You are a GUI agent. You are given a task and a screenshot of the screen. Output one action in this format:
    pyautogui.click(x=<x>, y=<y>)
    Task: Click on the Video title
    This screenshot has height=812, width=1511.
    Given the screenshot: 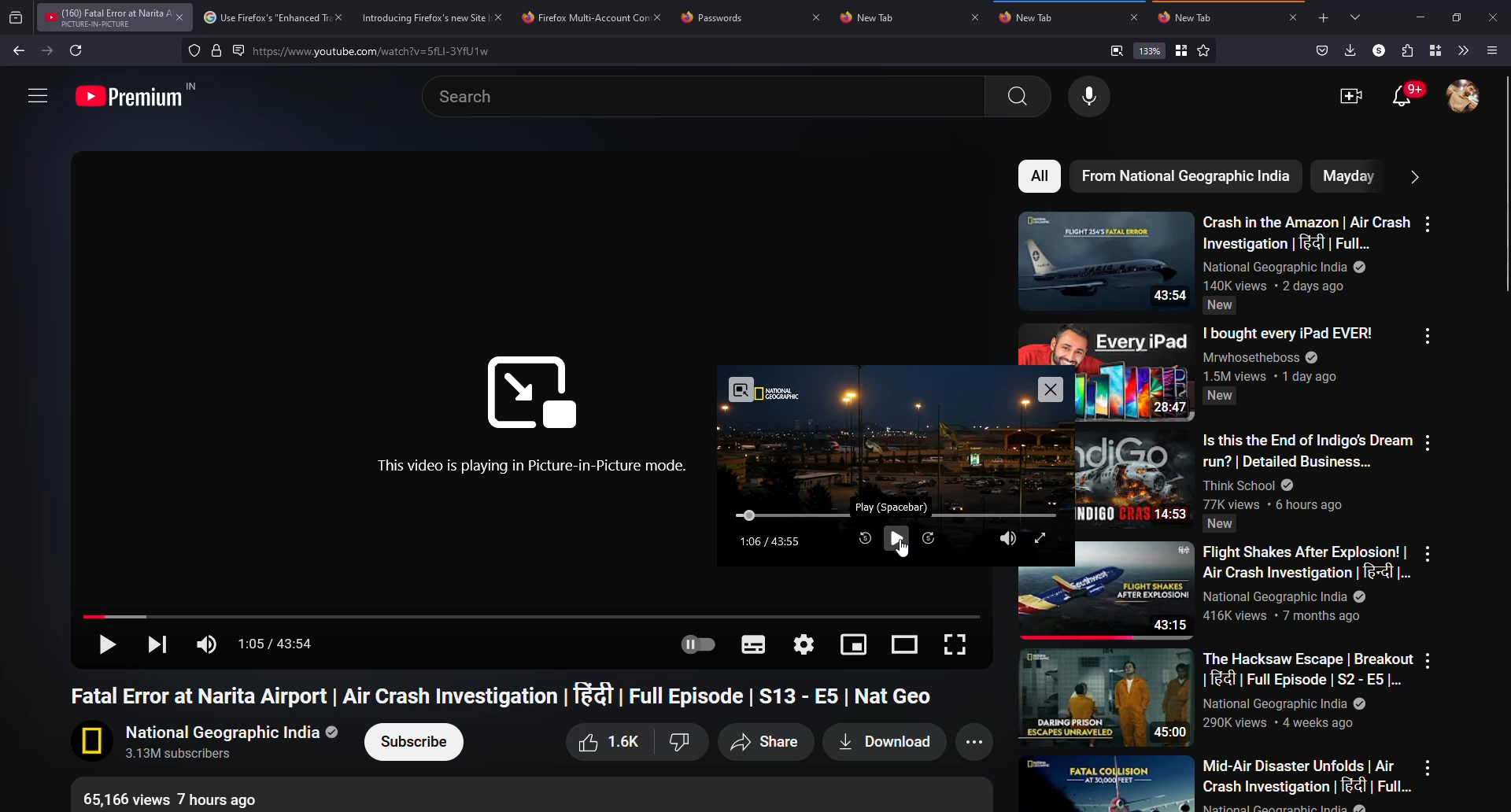 What is the action you would take?
    pyautogui.click(x=508, y=695)
    